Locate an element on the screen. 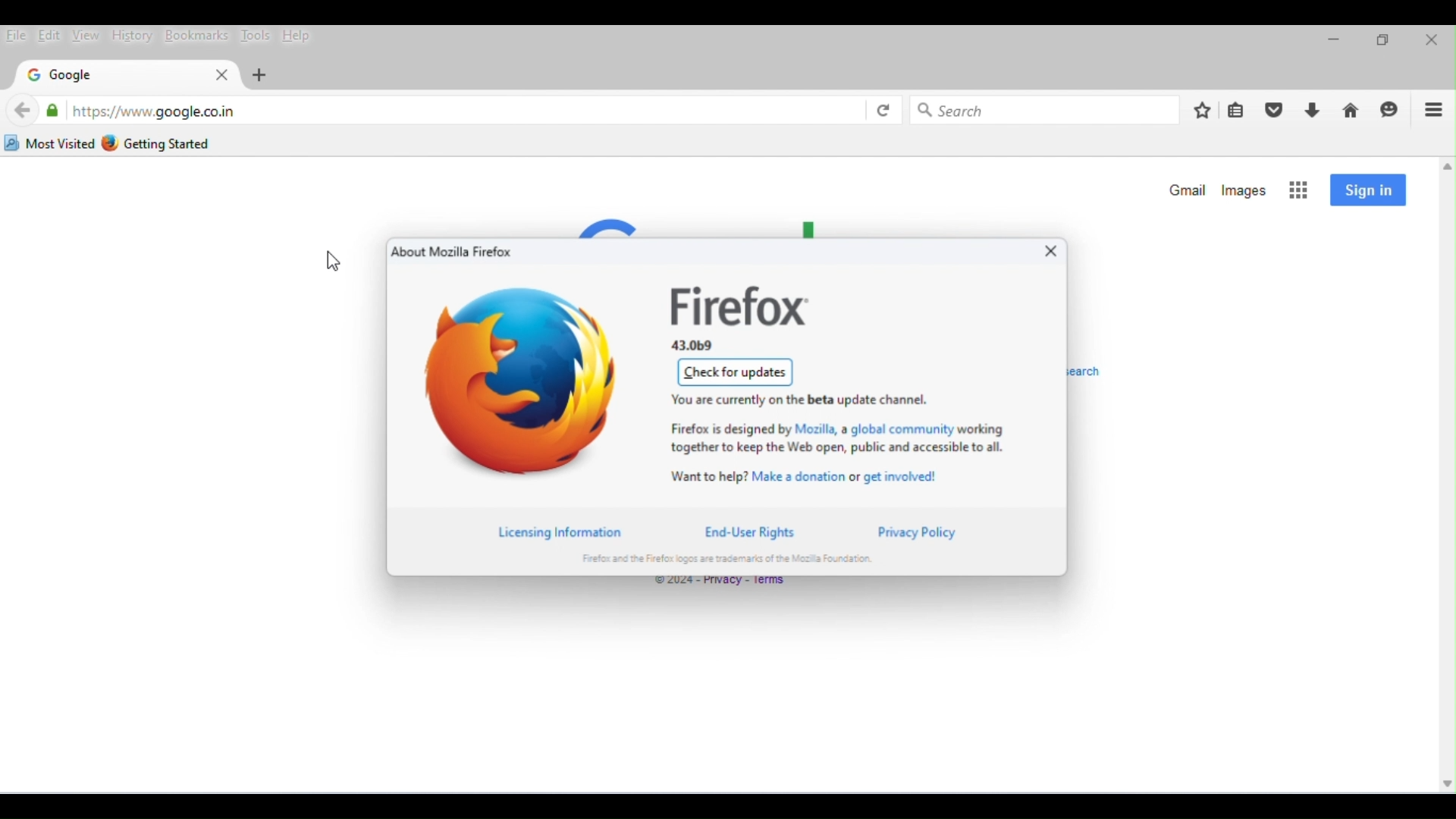 The image size is (1456, 819). 2024- privacy-terms is located at coordinates (720, 584).